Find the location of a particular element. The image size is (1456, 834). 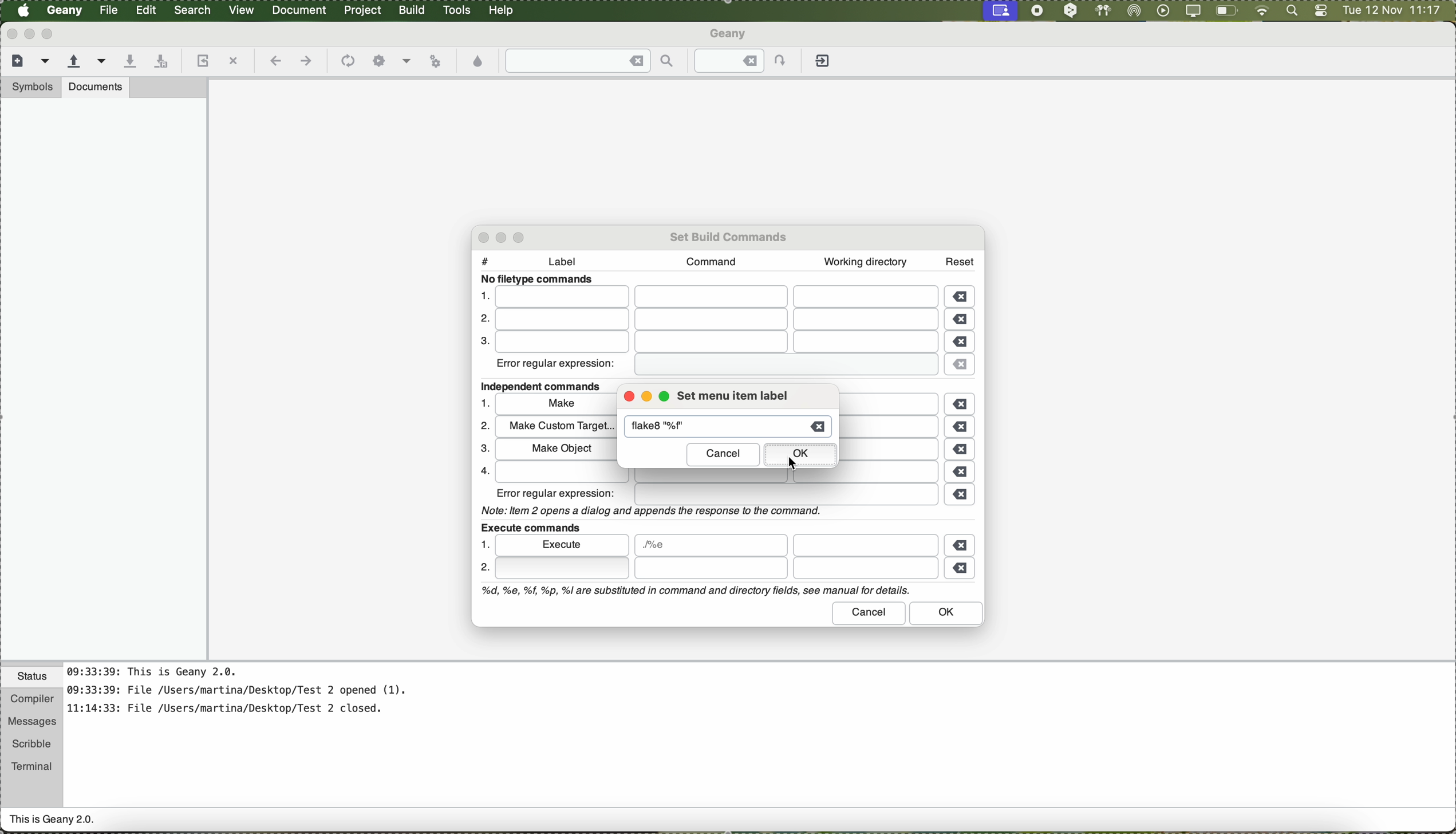

spotlight search is located at coordinates (1289, 11).